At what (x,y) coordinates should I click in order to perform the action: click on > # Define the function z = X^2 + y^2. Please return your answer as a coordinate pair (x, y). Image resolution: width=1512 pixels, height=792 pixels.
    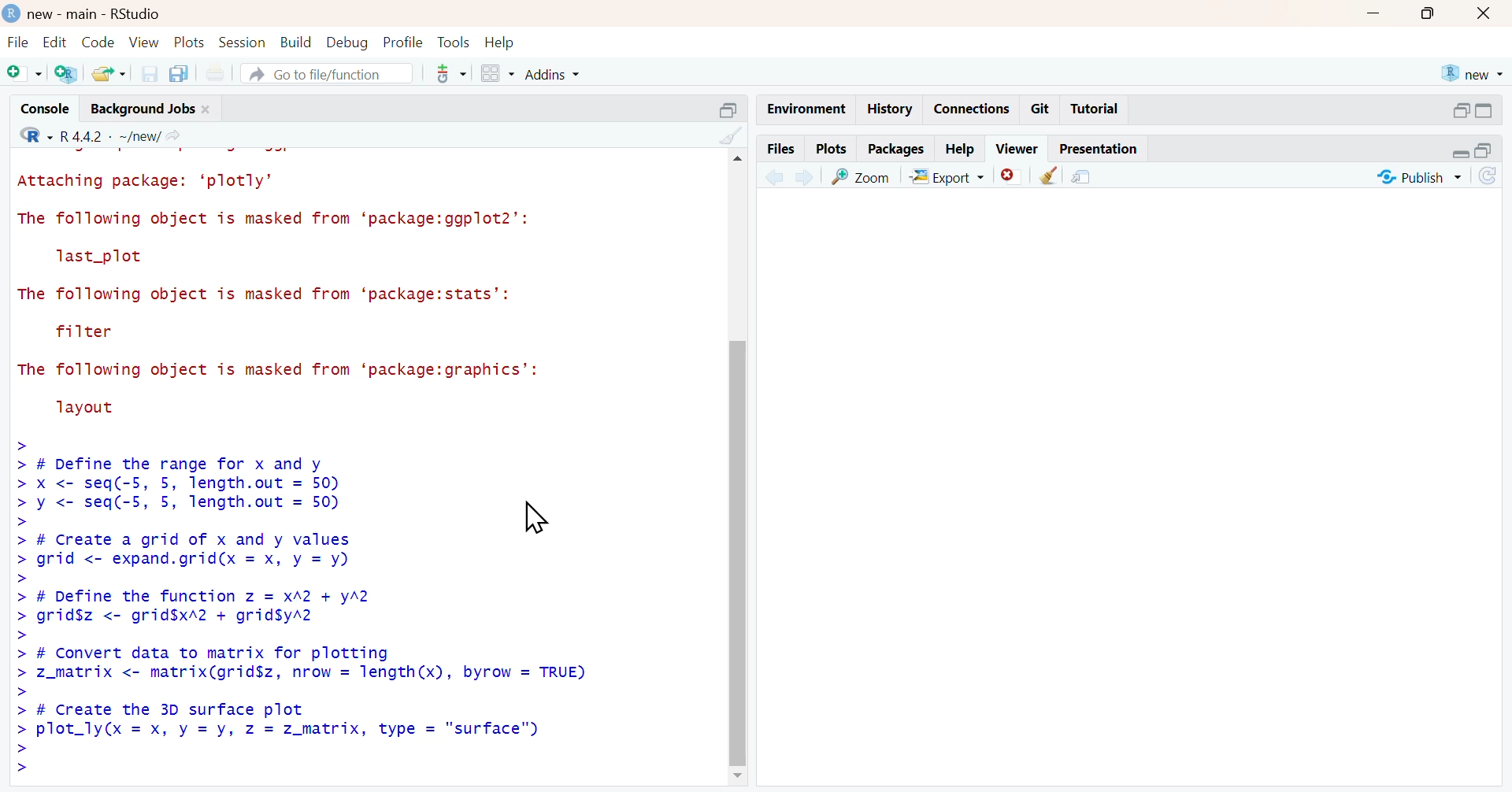
    Looking at the image, I should click on (197, 595).